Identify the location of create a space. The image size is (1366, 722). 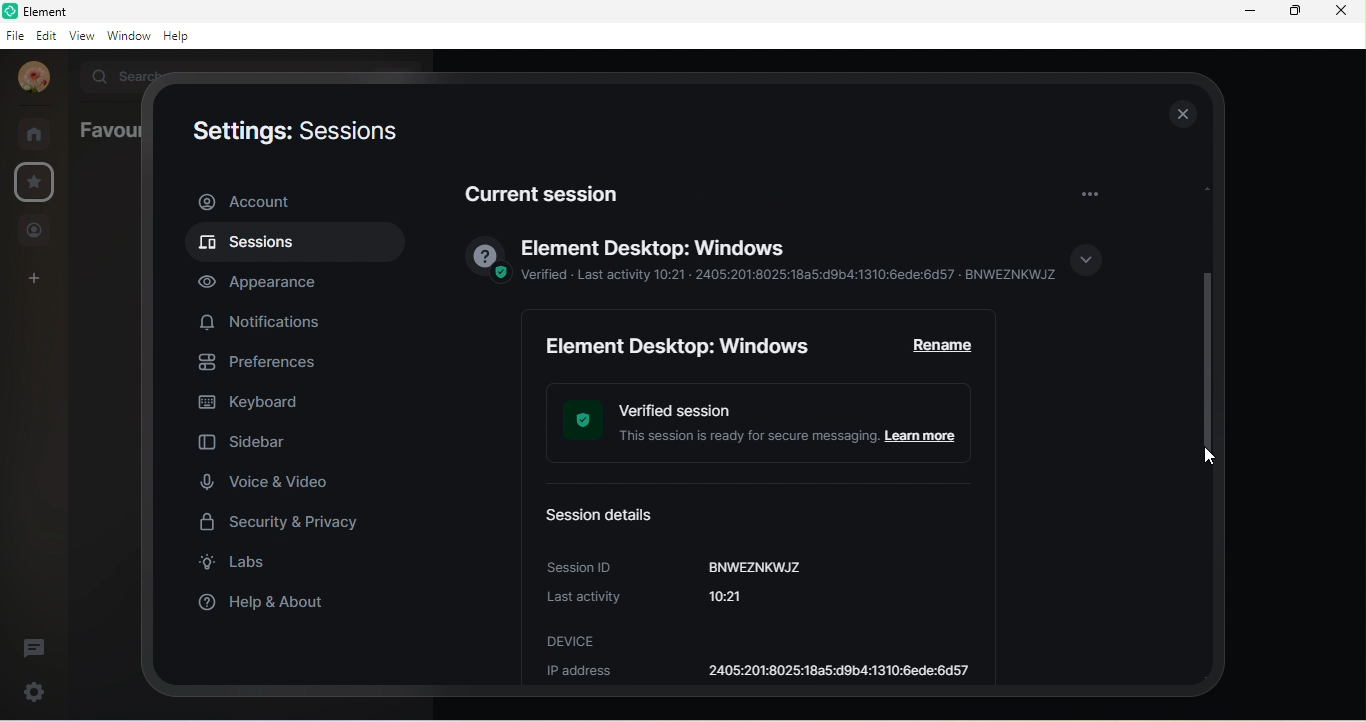
(38, 280).